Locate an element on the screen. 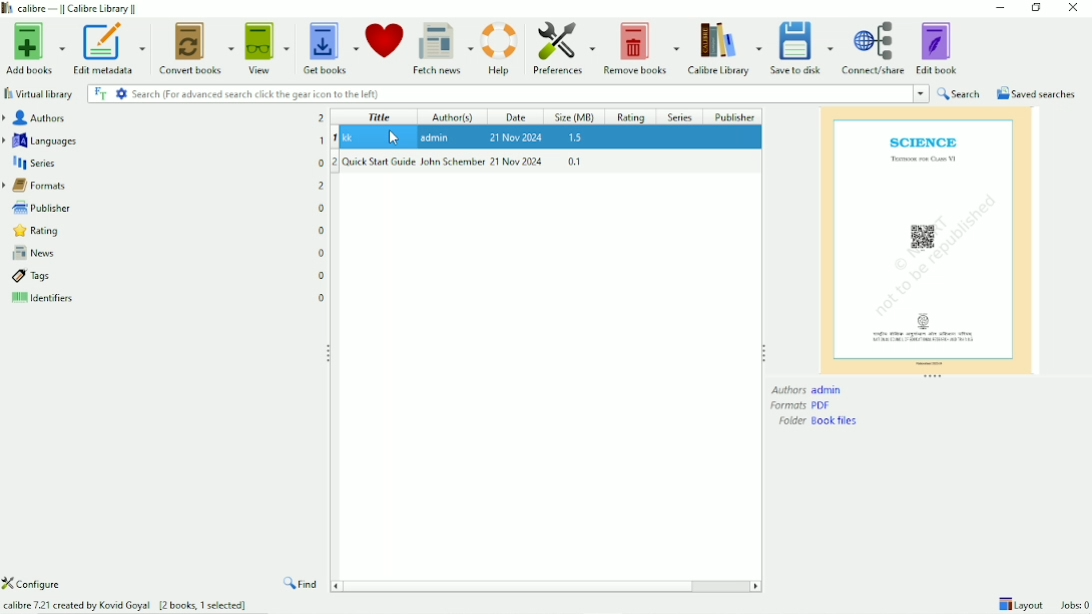 The height and width of the screenshot is (614, 1092). Authors is located at coordinates (36, 118).